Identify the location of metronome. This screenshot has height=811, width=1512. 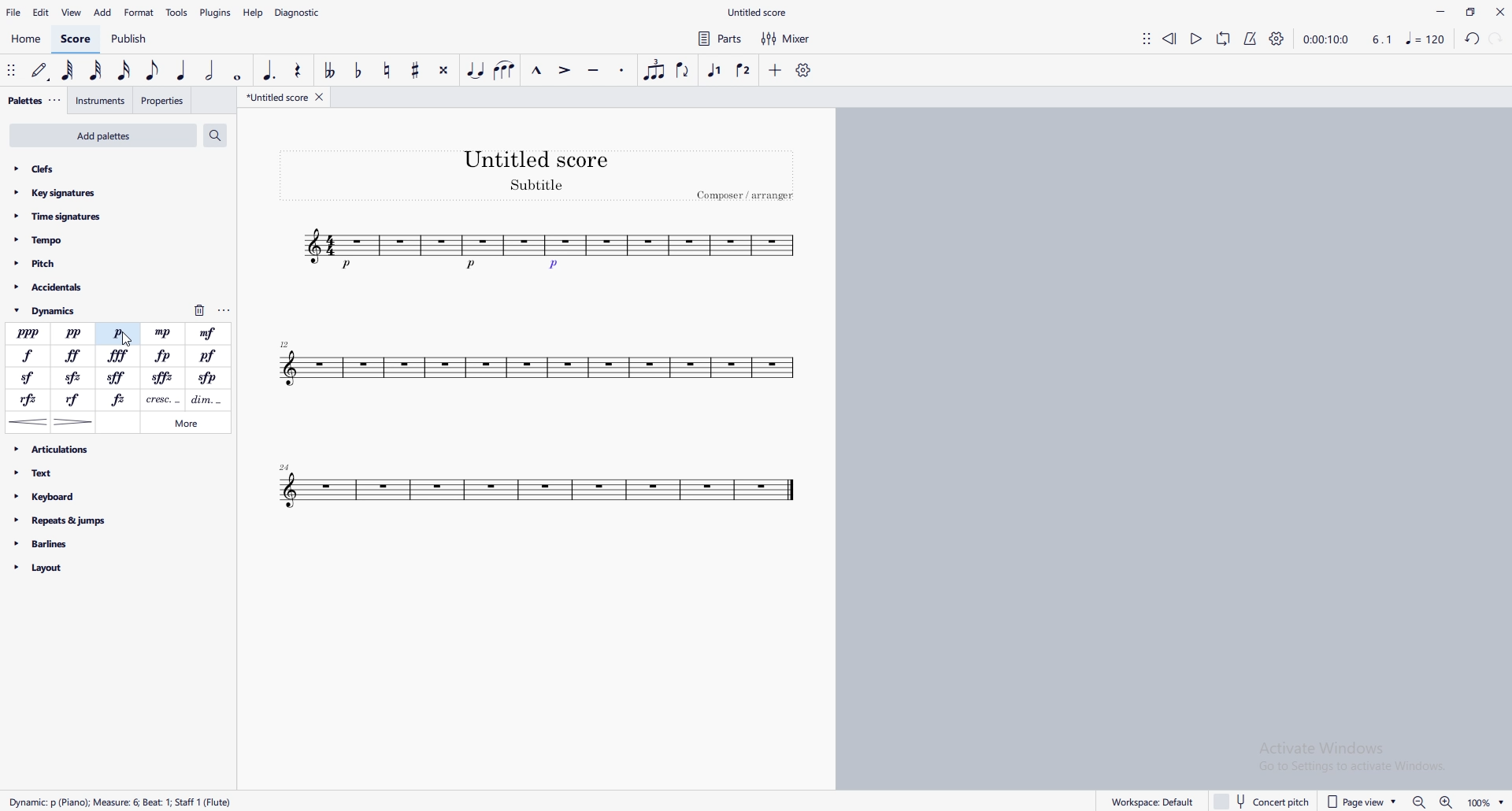
(1251, 38).